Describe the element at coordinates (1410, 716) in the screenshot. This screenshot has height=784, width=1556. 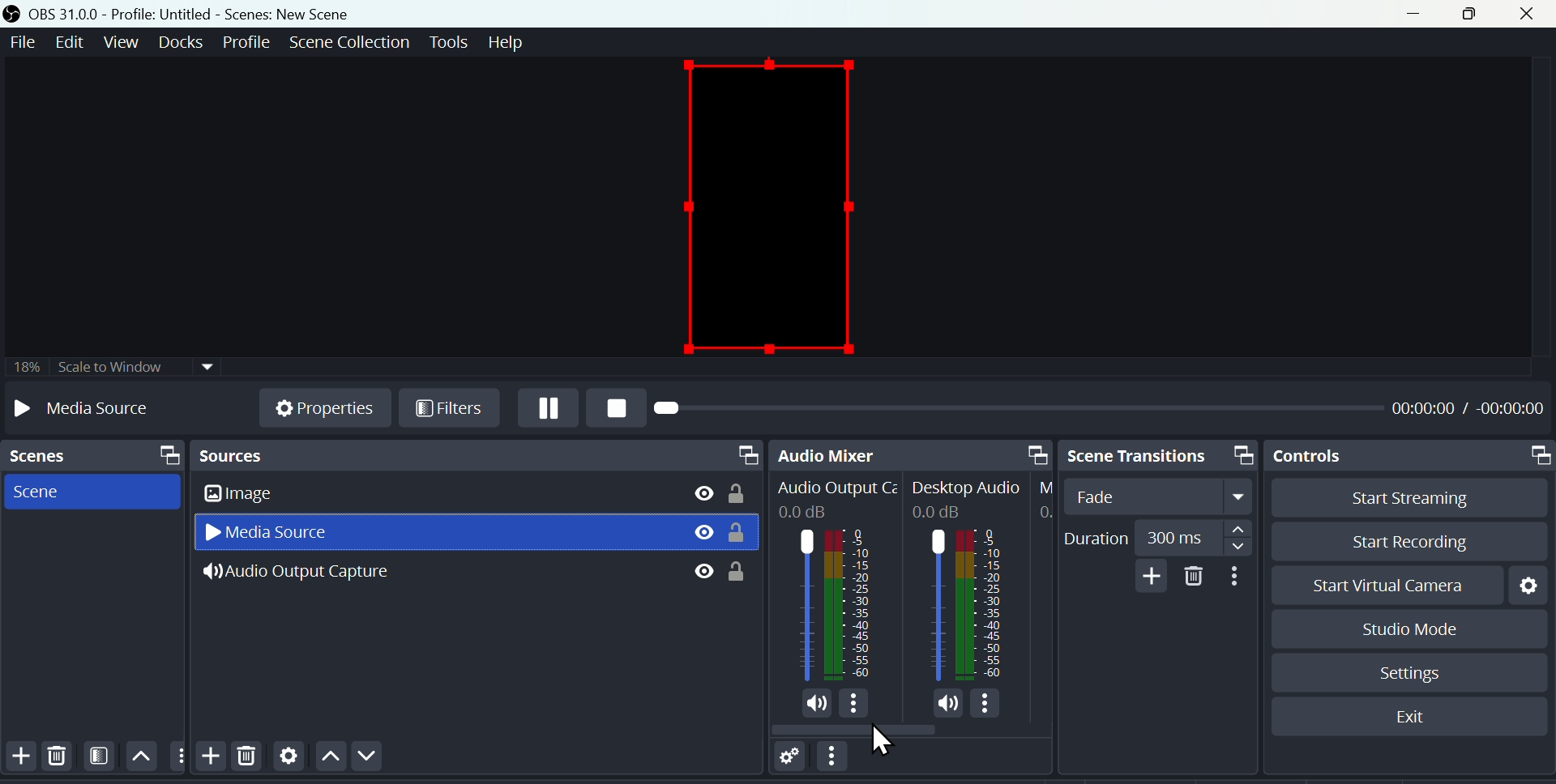
I see `Exit` at that location.